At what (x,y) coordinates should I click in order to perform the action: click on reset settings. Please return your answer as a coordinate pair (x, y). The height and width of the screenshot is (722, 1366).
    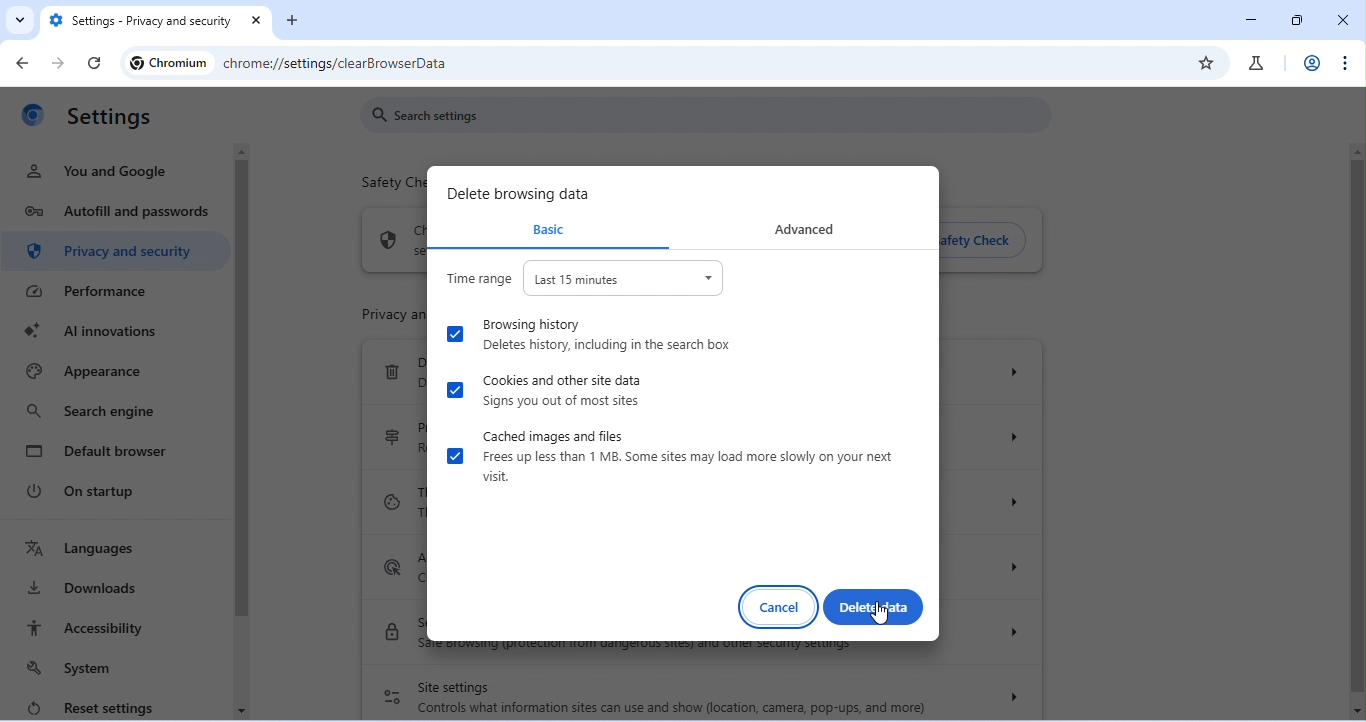
    Looking at the image, I should click on (87, 706).